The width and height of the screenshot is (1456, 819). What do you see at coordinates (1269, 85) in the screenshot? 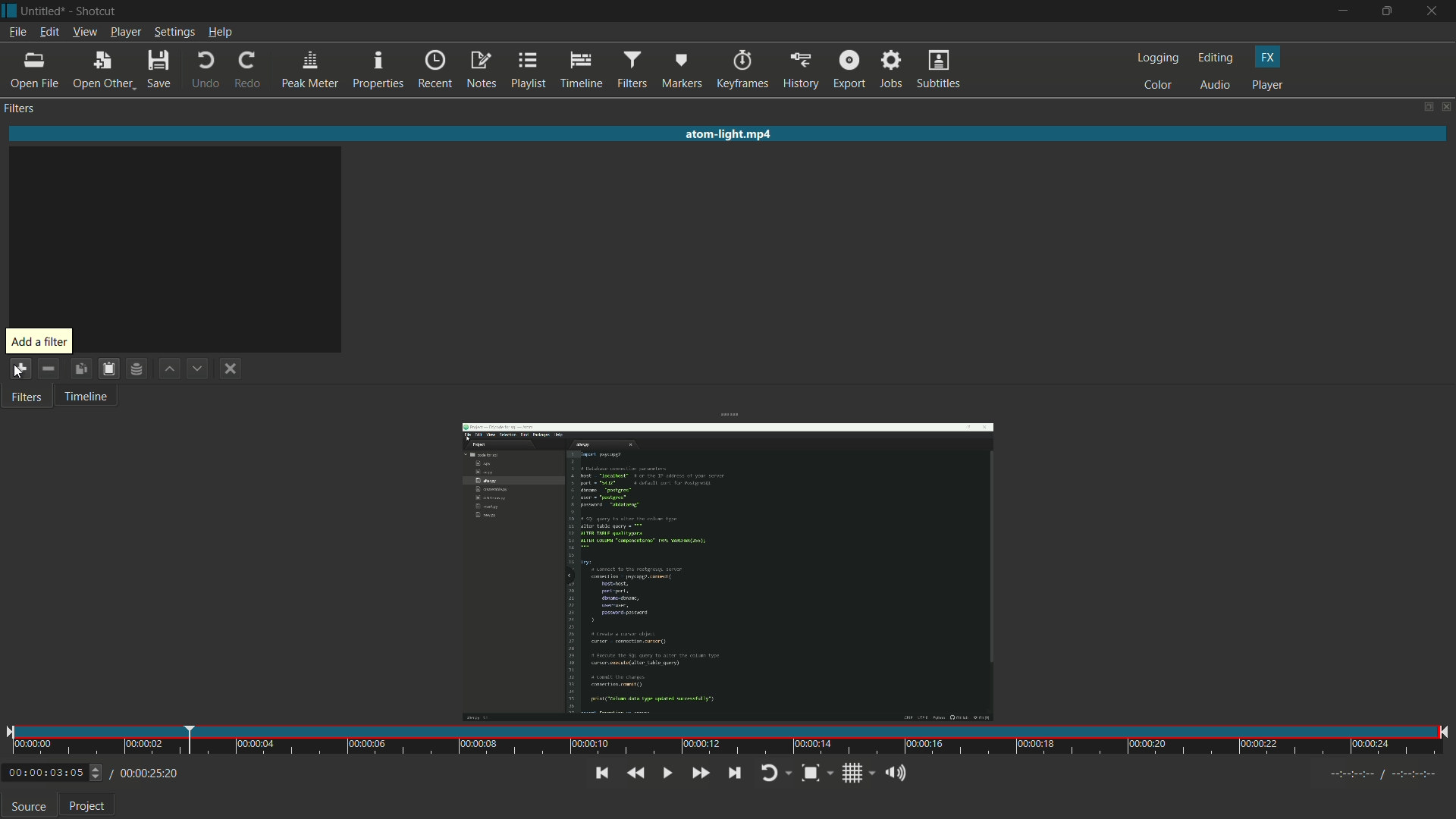
I see `player` at bounding box center [1269, 85].